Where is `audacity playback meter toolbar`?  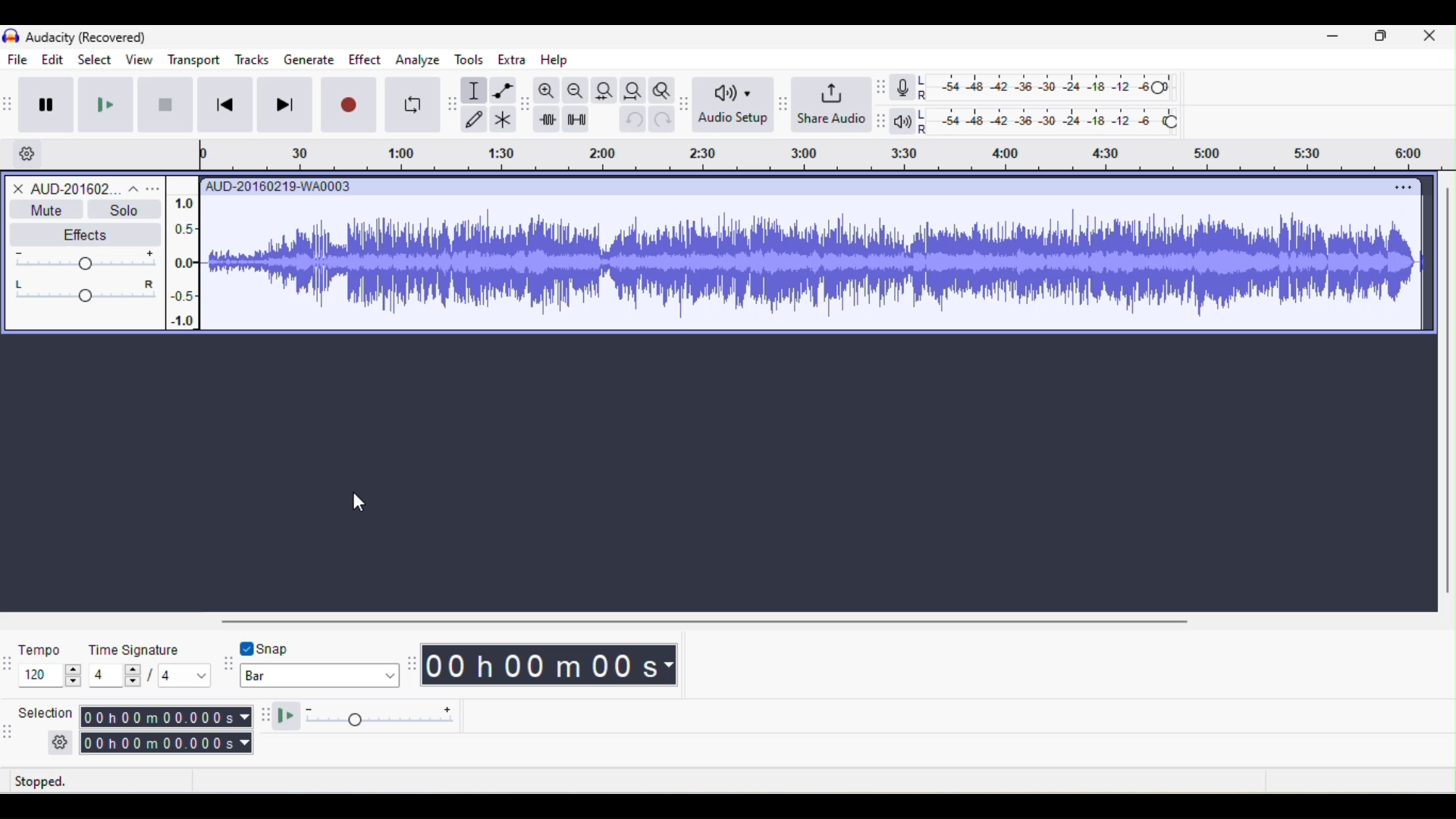 audacity playback meter toolbar is located at coordinates (884, 119).